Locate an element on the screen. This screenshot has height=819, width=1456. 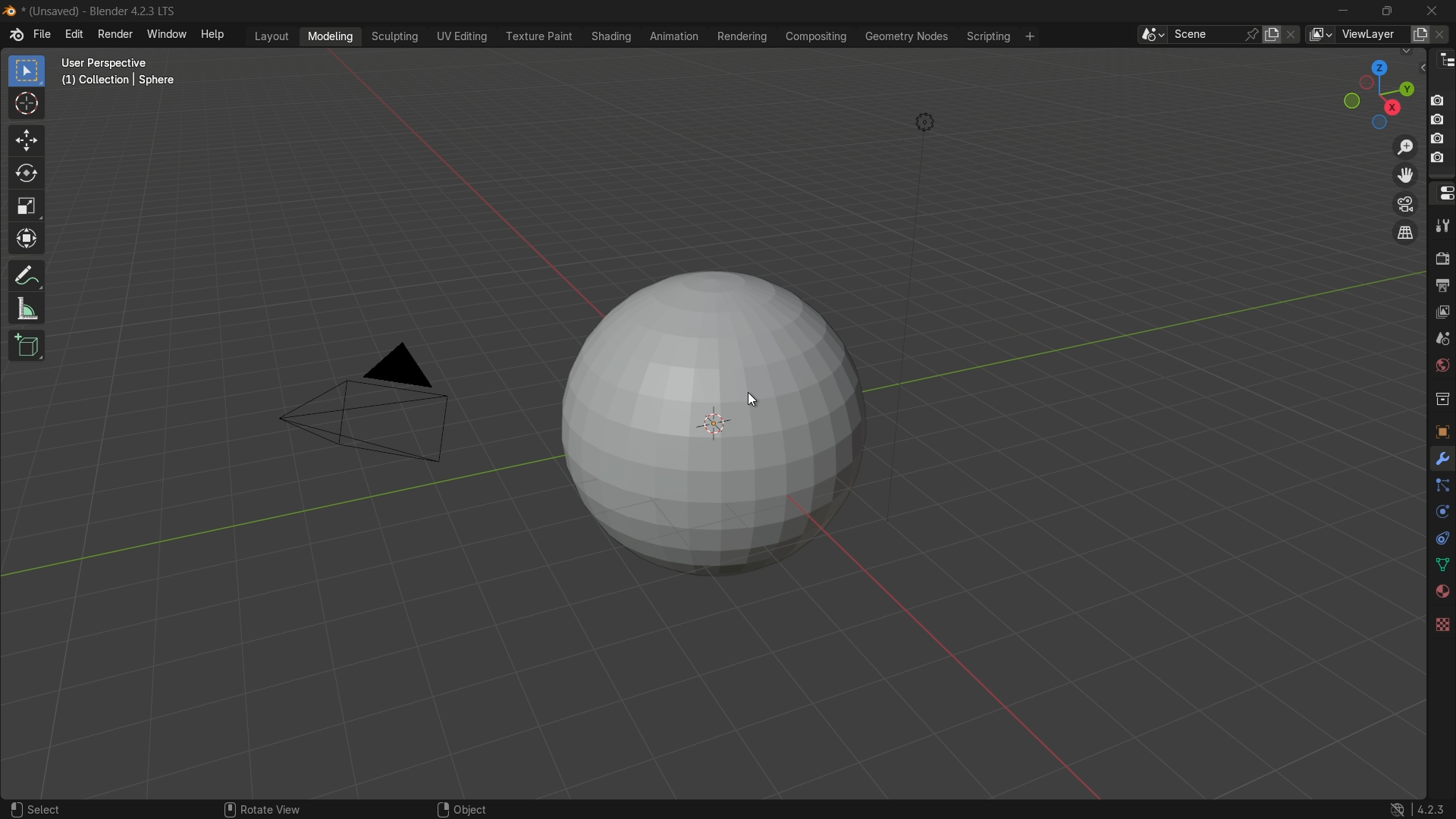
toggle the camera view is located at coordinates (1406, 204).